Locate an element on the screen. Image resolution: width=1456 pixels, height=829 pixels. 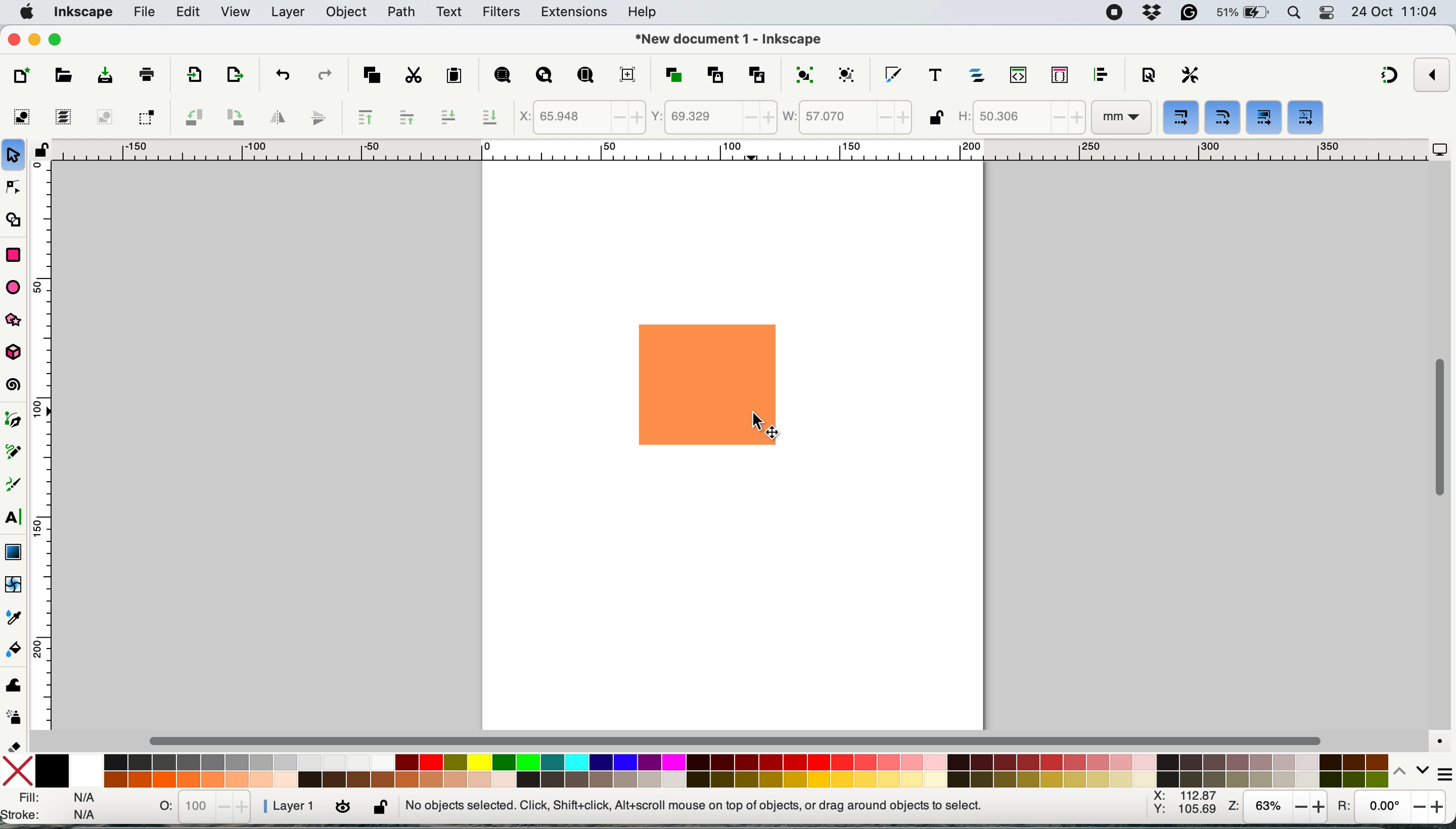
text tool is located at coordinates (14, 518).